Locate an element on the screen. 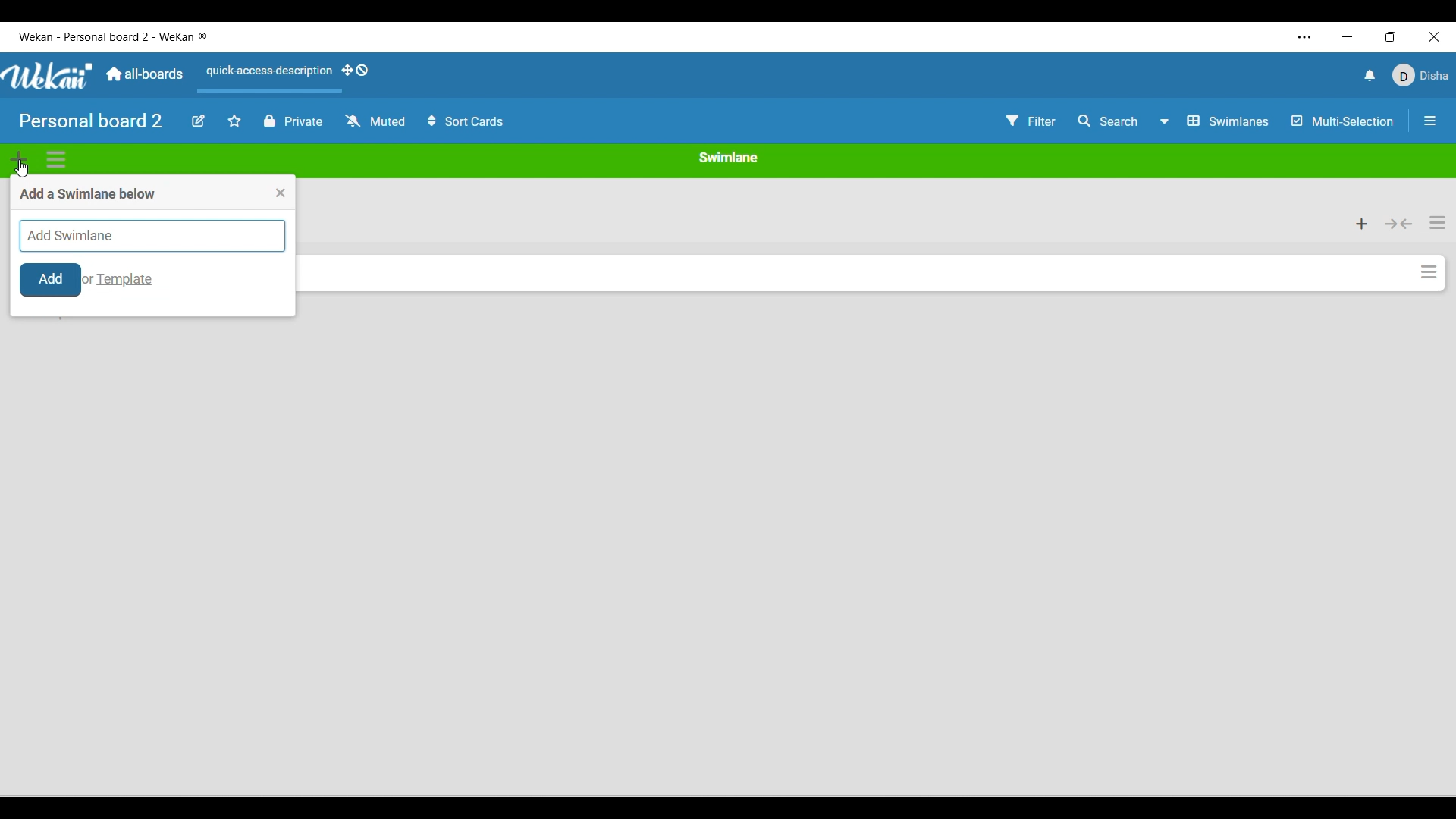 The image size is (1456, 819). Edit is located at coordinates (199, 120).